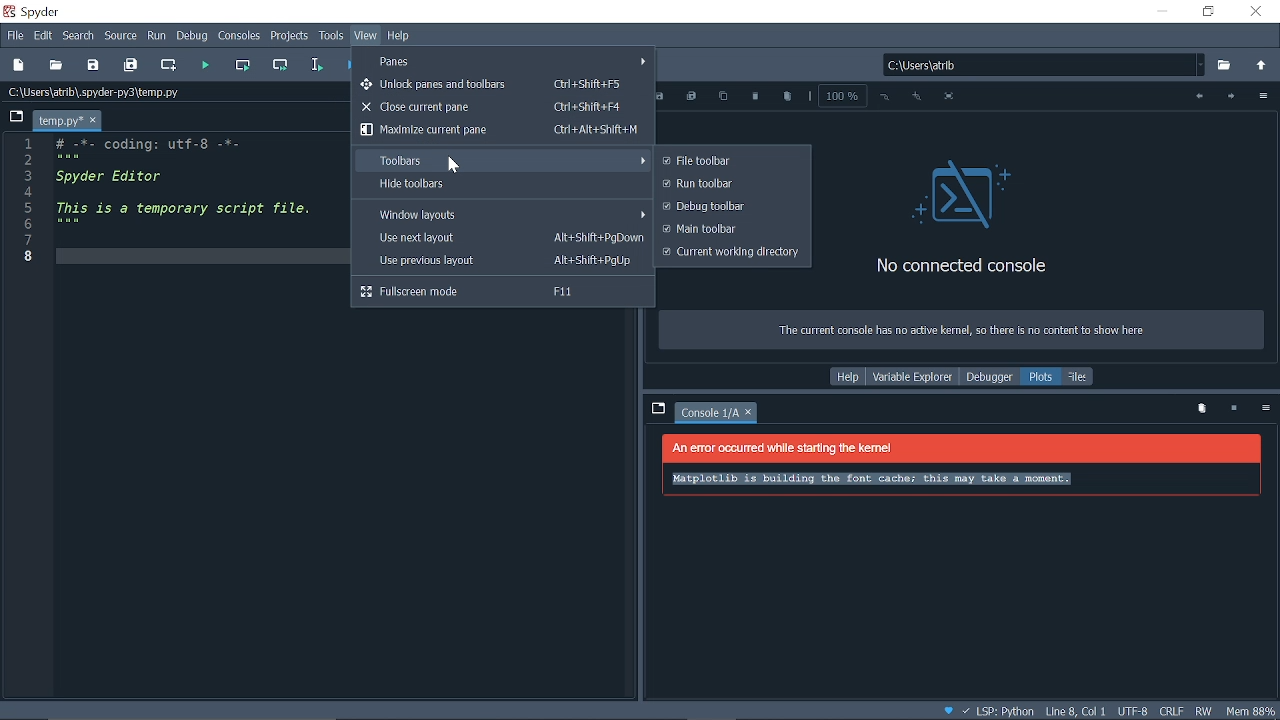  What do you see at coordinates (1265, 410) in the screenshot?
I see `Options` at bounding box center [1265, 410].